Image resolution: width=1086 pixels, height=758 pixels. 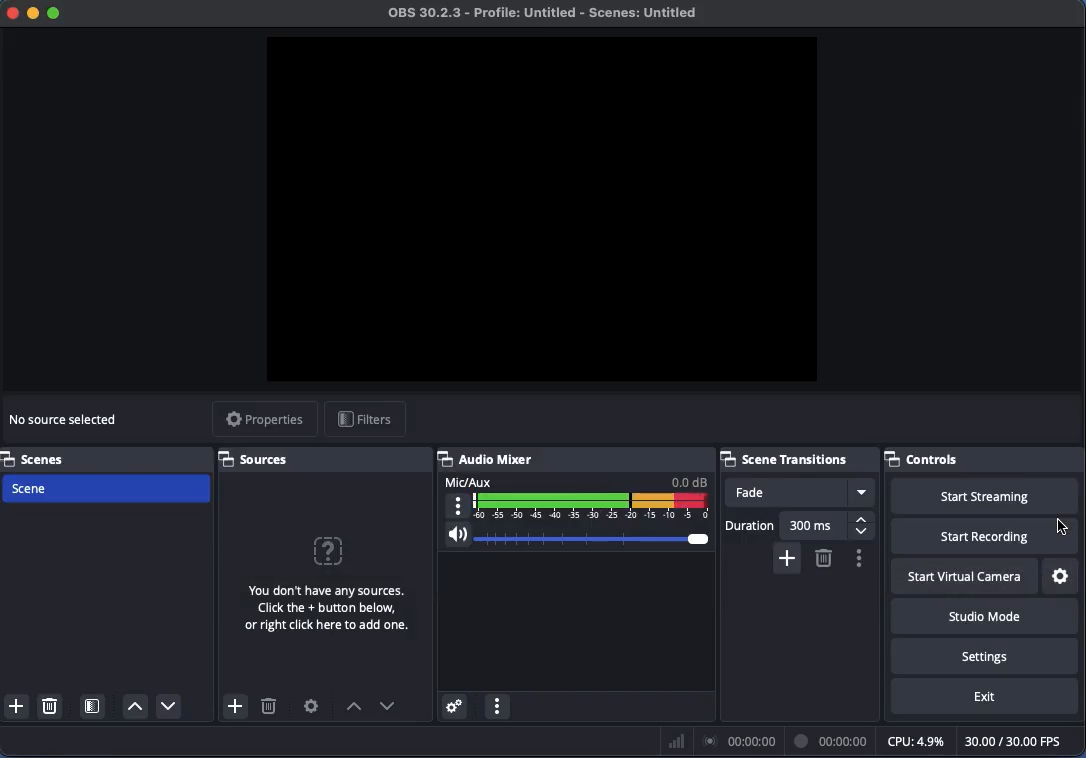 I want to click on Delete, so click(x=823, y=558).